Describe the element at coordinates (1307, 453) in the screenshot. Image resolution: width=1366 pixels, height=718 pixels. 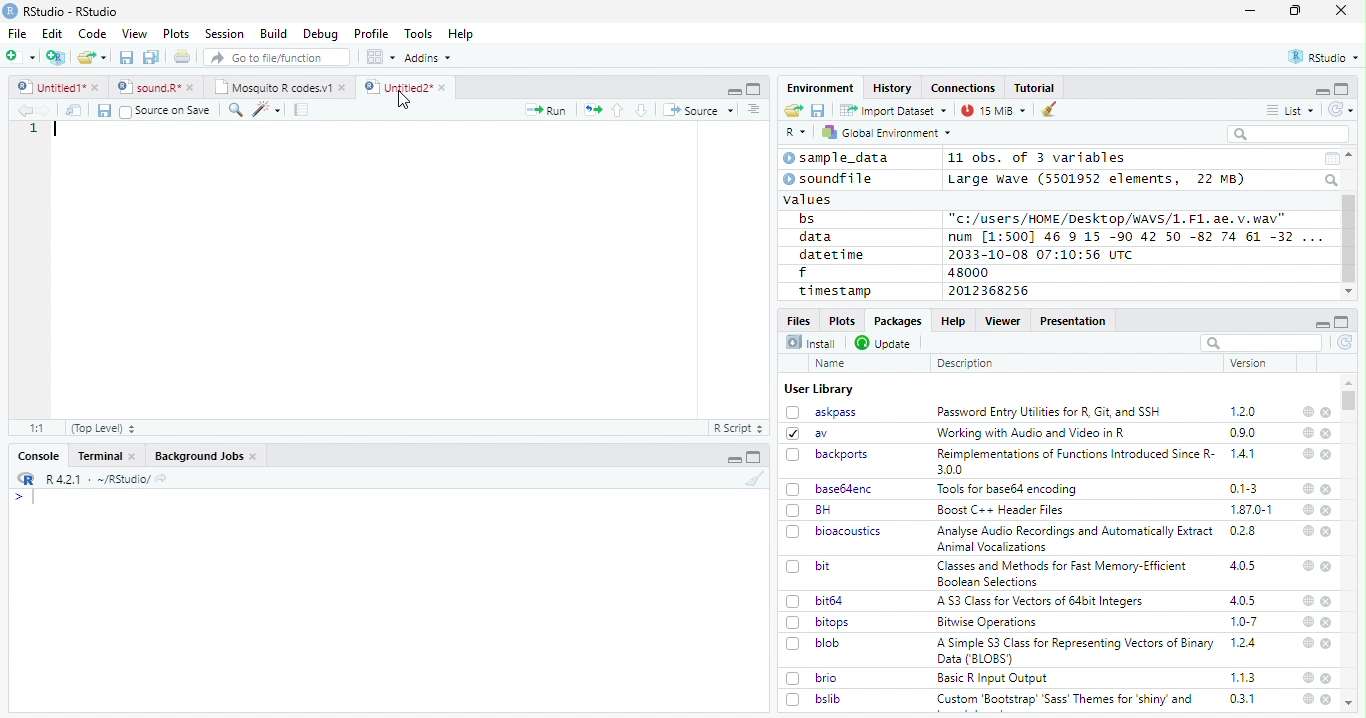
I see `help` at that location.